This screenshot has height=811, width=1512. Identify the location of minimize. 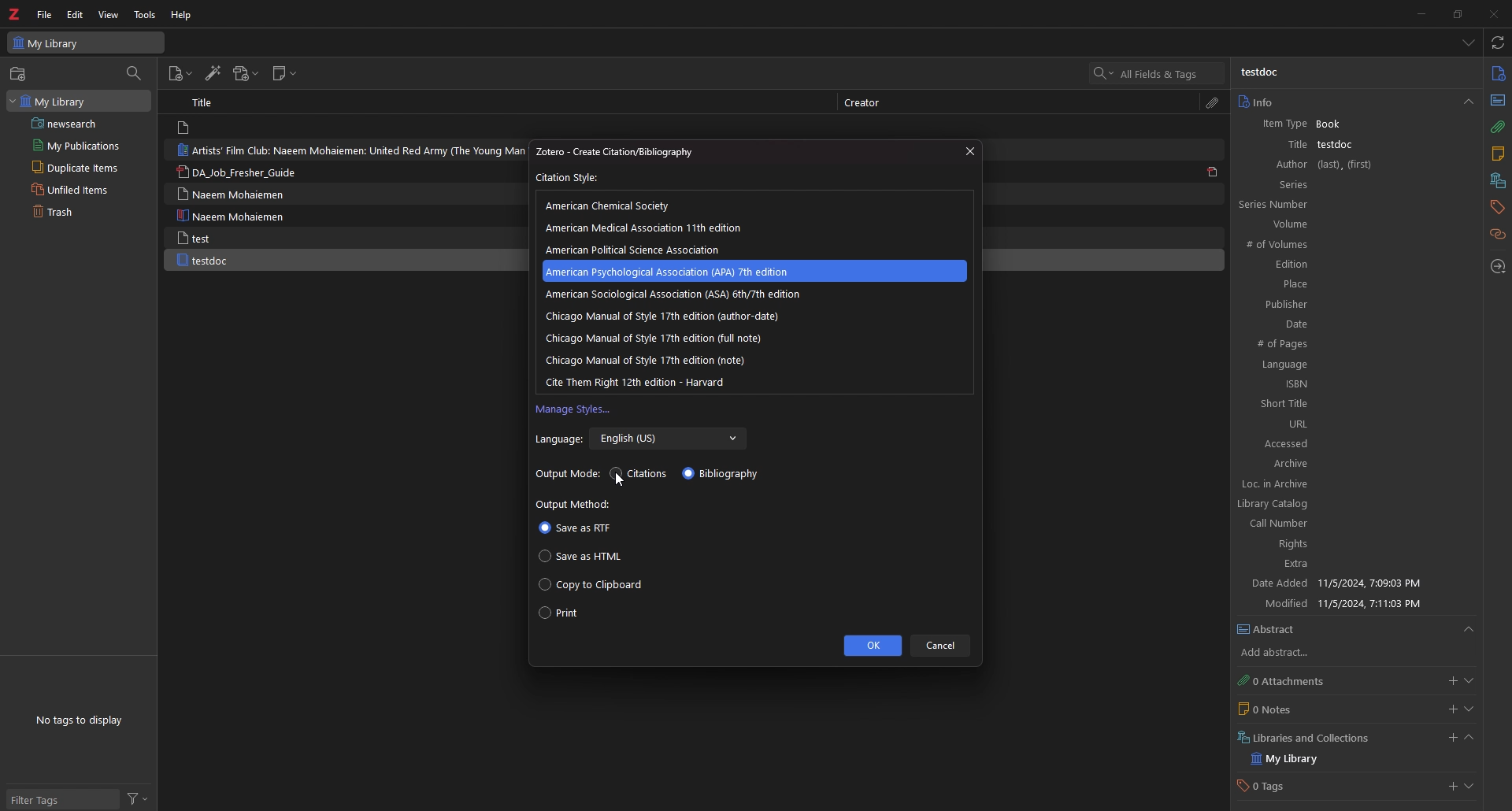
(1417, 13).